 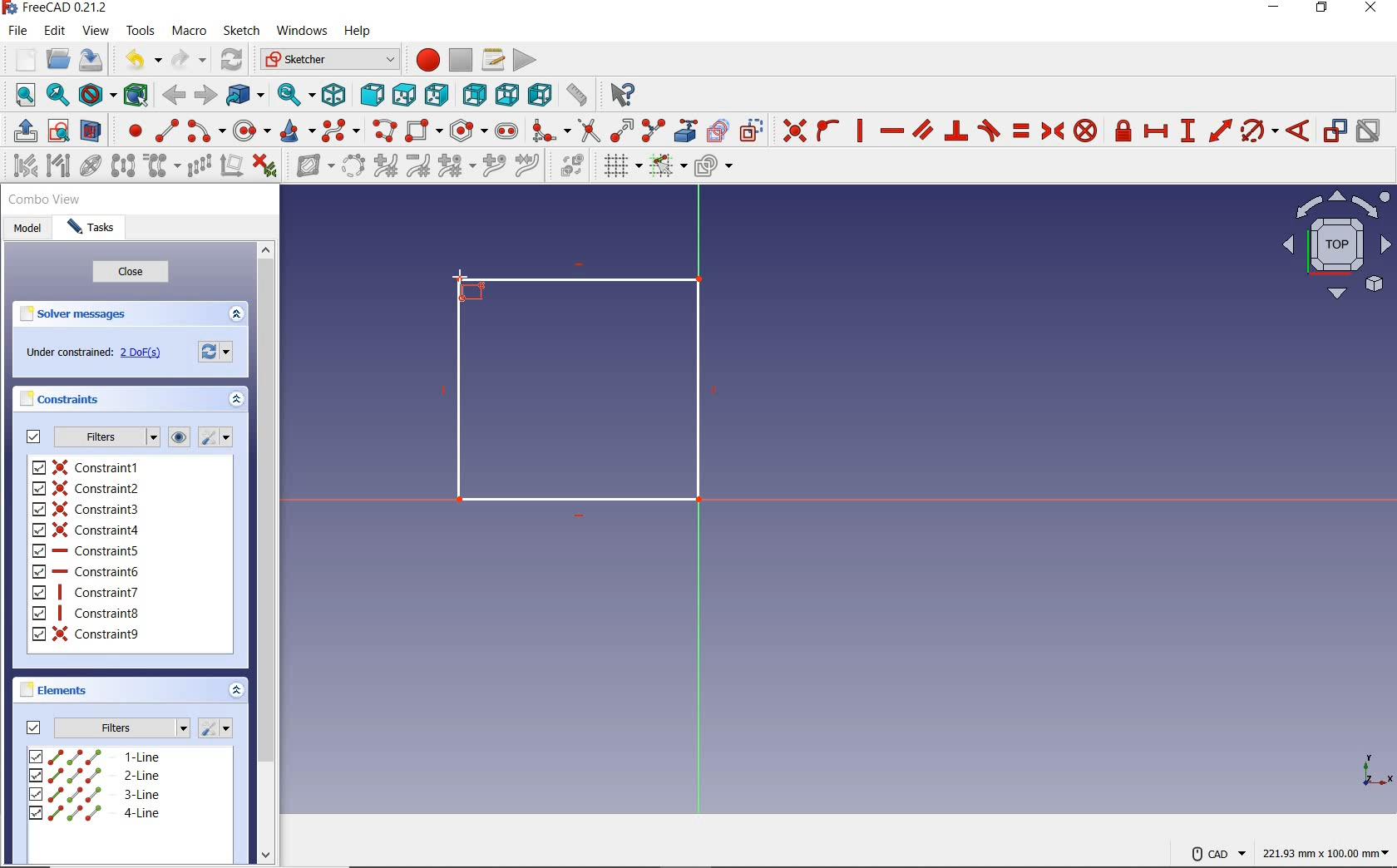 What do you see at coordinates (1328, 852) in the screenshot?
I see `dimension` at bounding box center [1328, 852].